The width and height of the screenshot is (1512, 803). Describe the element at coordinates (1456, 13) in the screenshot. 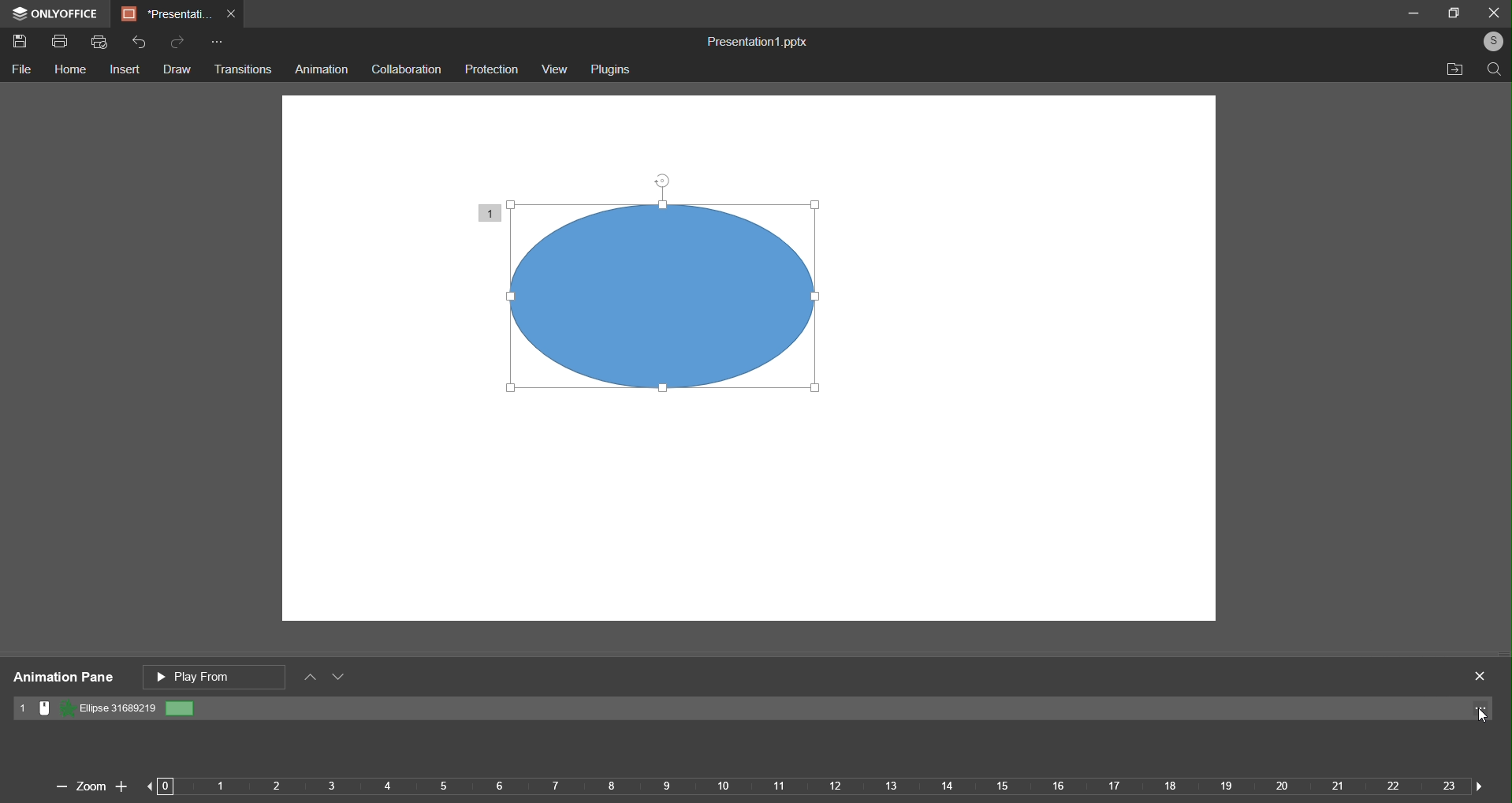

I see `maximize` at that location.